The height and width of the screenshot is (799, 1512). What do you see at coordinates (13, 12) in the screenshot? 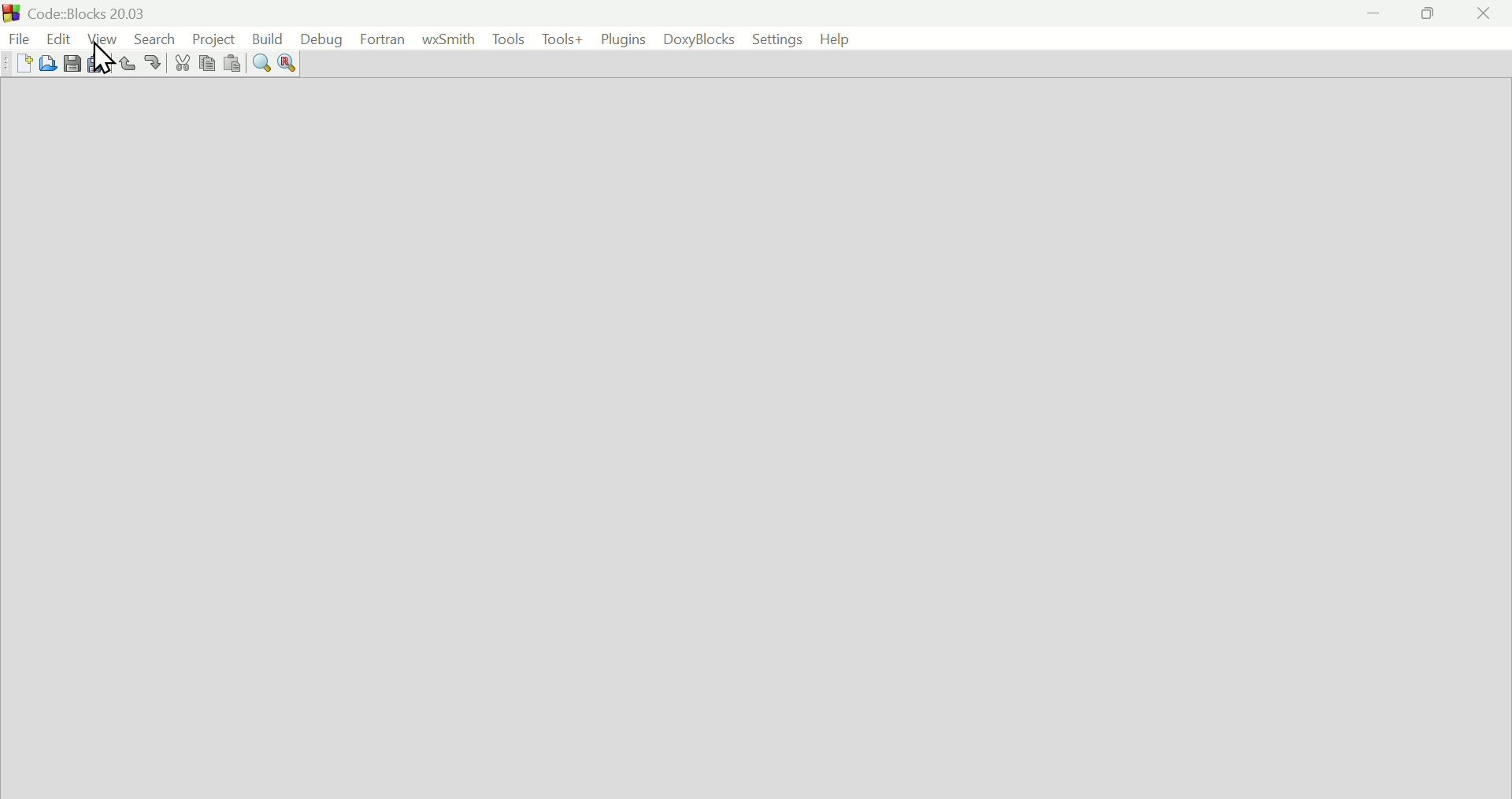
I see `Code Blocks Desktop icon` at bounding box center [13, 12].